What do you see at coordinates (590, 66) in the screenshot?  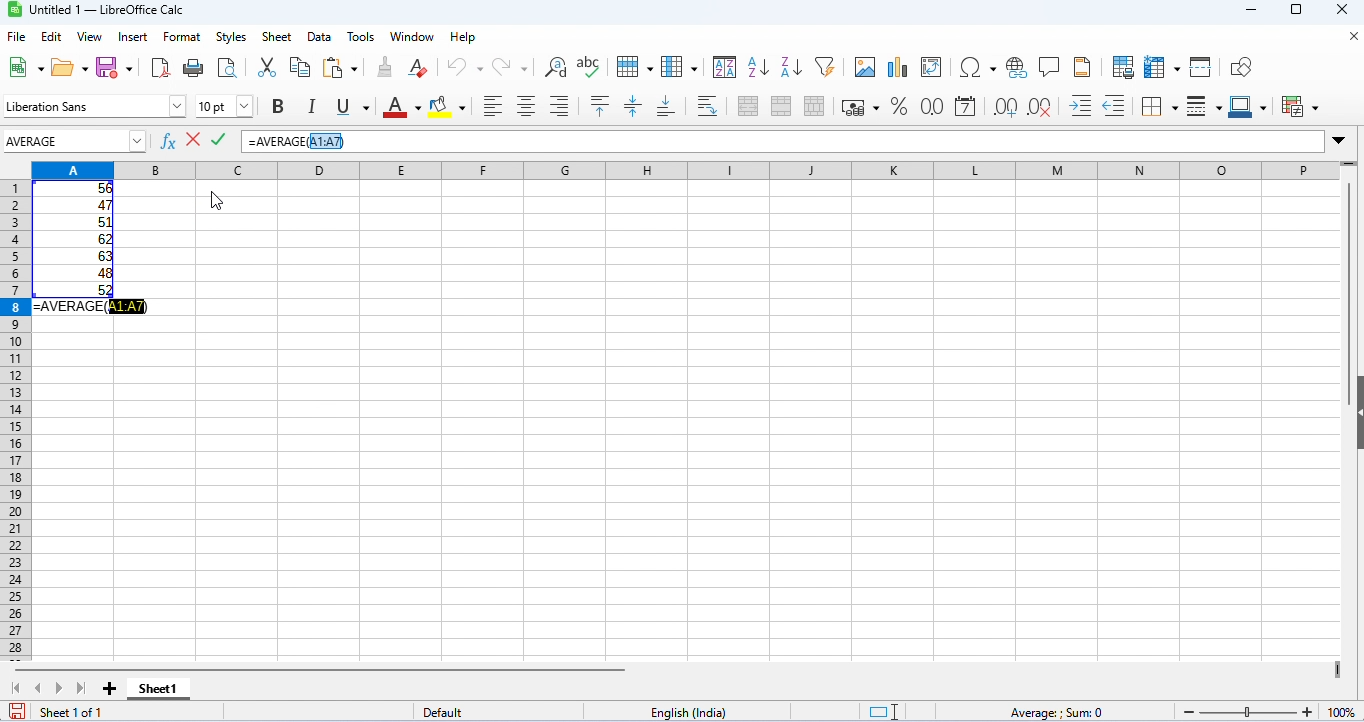 I see `spelling` at bounding box center [590, 66].